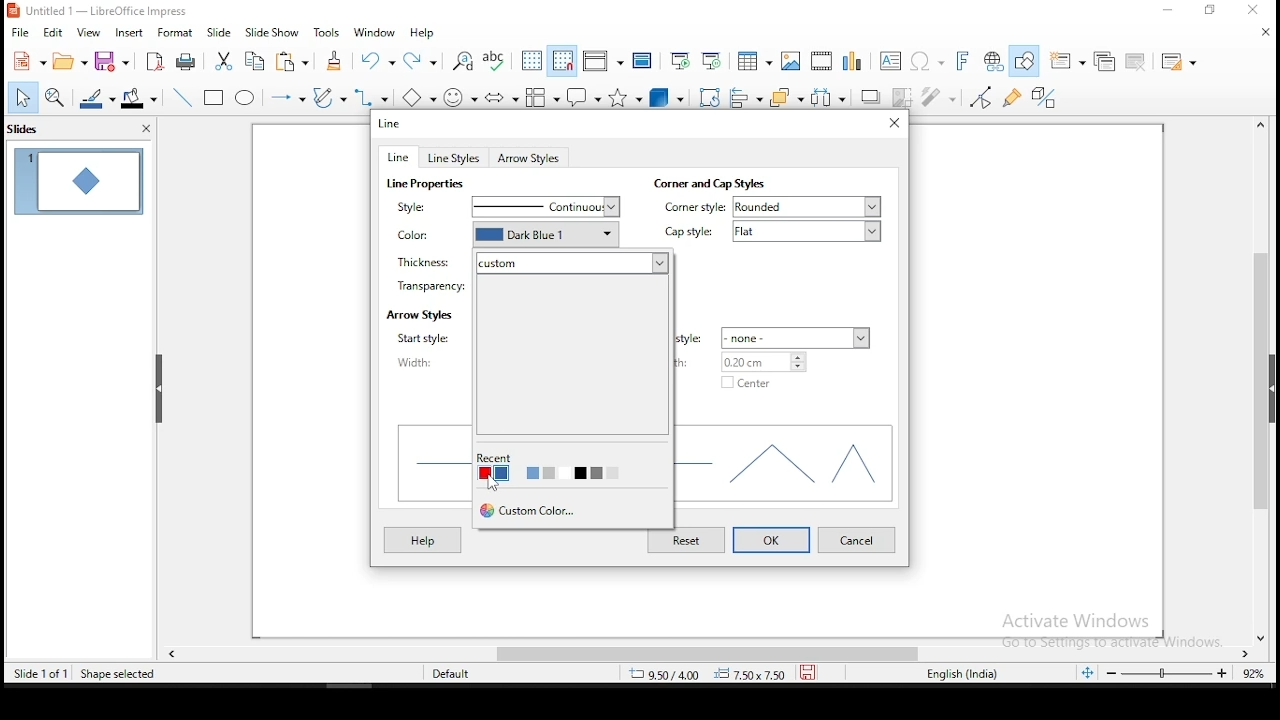  What do you see at coordinates (118, 674) in the screenshot?
I see `shape selected` at bounding box center [118, 674].